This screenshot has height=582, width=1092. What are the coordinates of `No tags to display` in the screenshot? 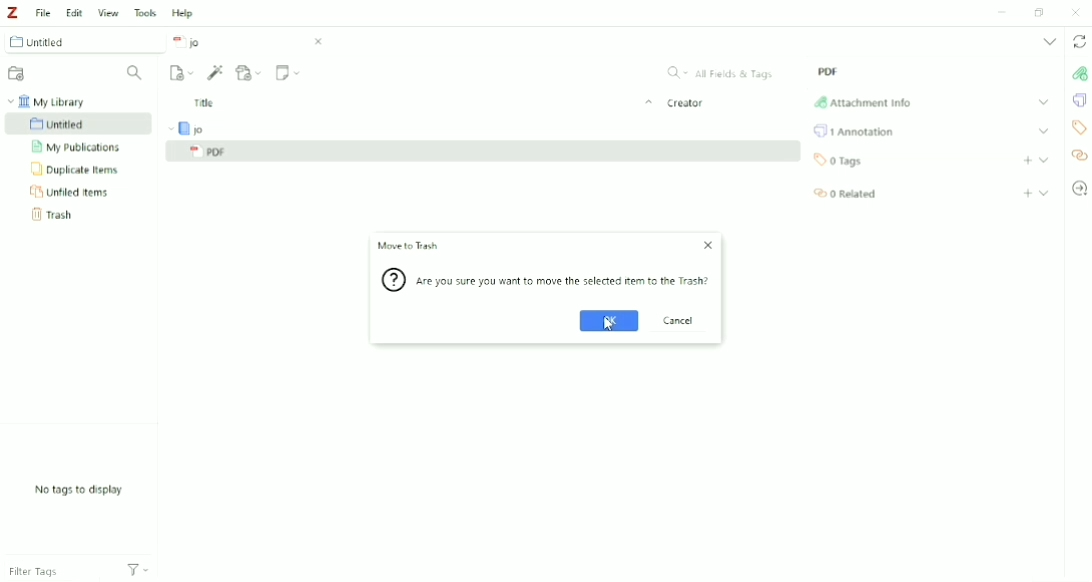 It's located at (78, 490).